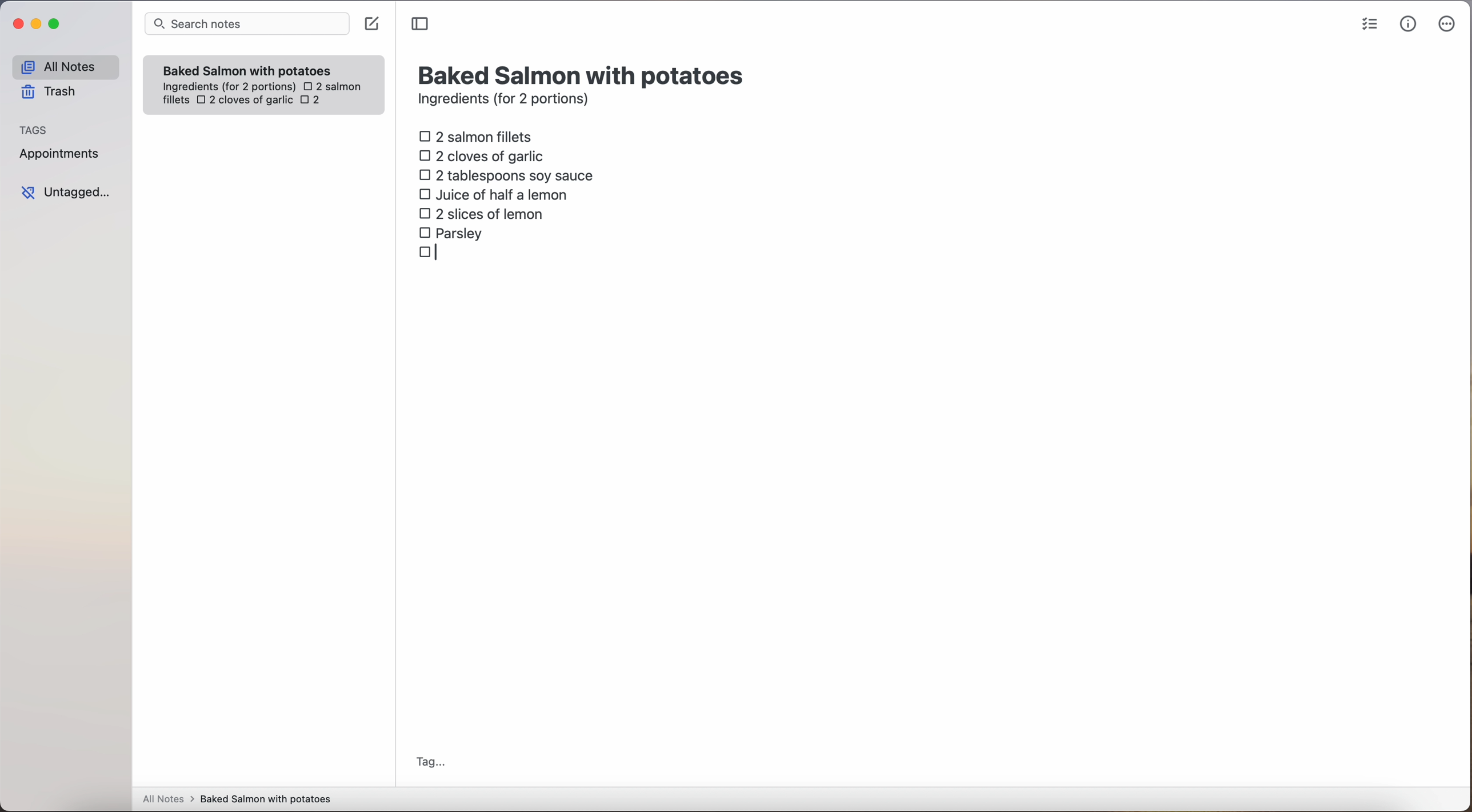  Describe the element at coordinates (331, 85) in the screenshot. I see `2 salmon` at that location.